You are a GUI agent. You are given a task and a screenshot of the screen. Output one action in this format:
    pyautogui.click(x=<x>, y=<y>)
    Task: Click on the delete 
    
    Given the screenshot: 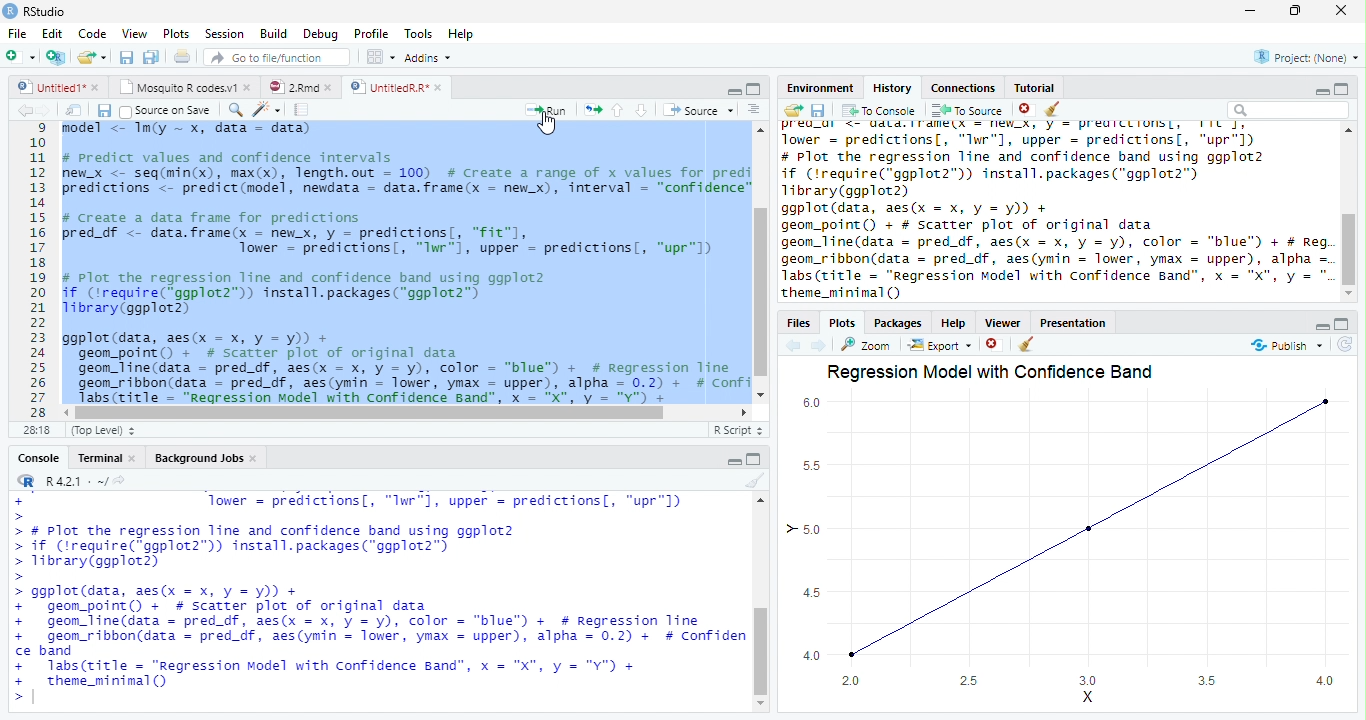 What is the action you would take?
    pyautogui.click(x=1024, y=108)
    